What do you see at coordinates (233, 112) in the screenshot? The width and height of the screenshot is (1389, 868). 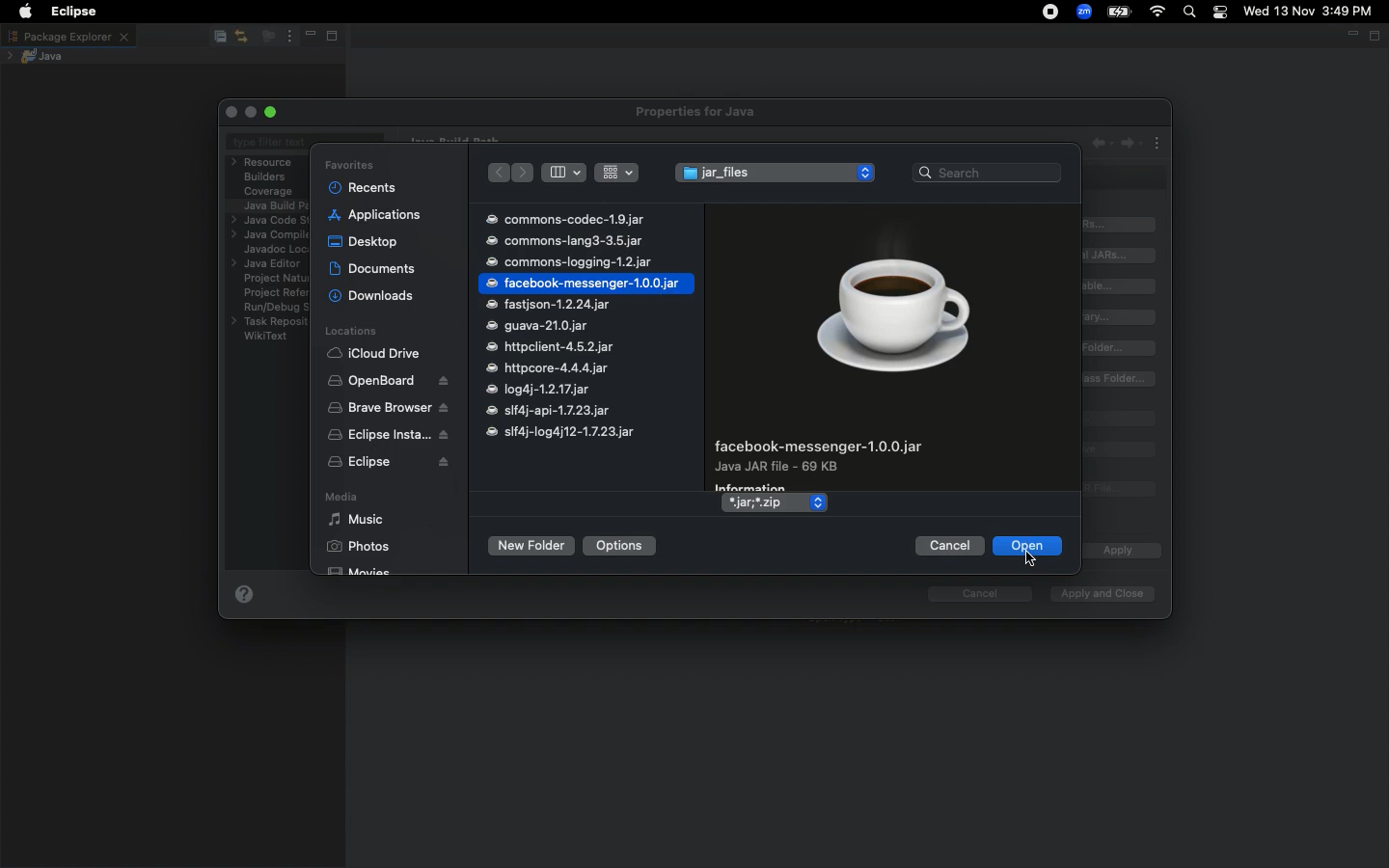 I see `Close` at bounding box center [233, 112].